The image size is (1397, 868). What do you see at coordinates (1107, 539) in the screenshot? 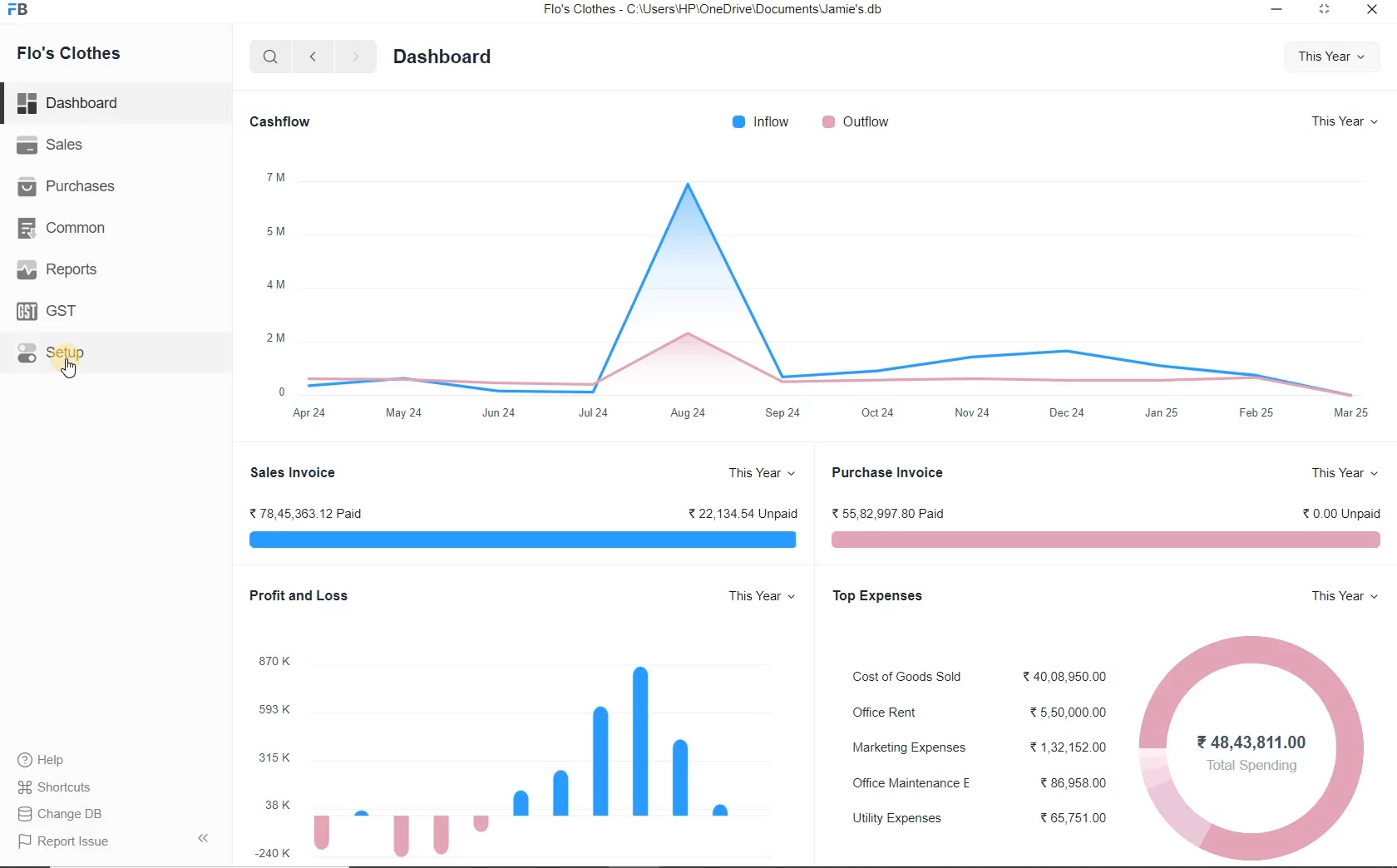
I see `Pink Bar` at bounding box center [1107, 539].